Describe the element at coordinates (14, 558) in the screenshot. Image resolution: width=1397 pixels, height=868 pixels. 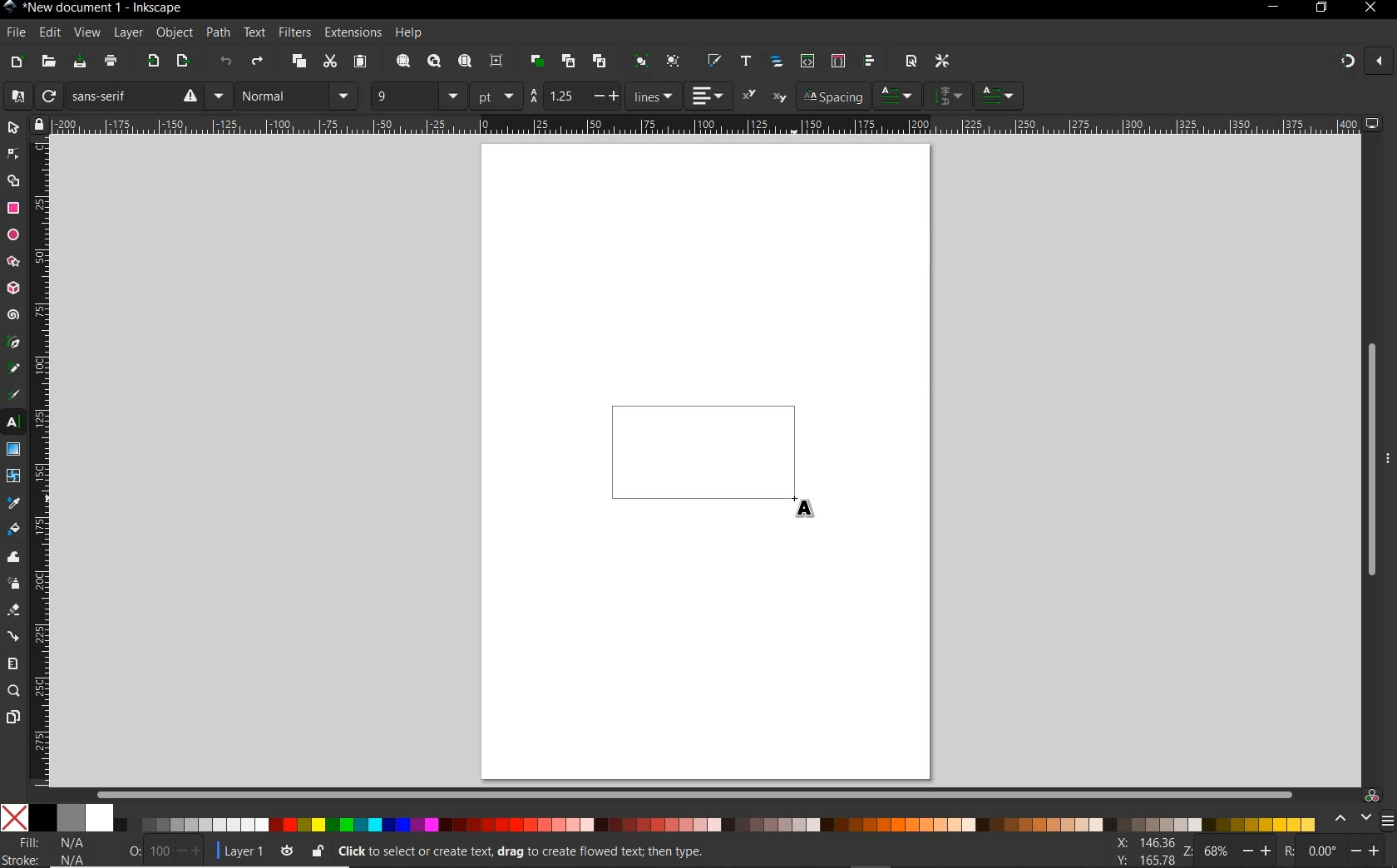
I see `tweak tool` at that location.